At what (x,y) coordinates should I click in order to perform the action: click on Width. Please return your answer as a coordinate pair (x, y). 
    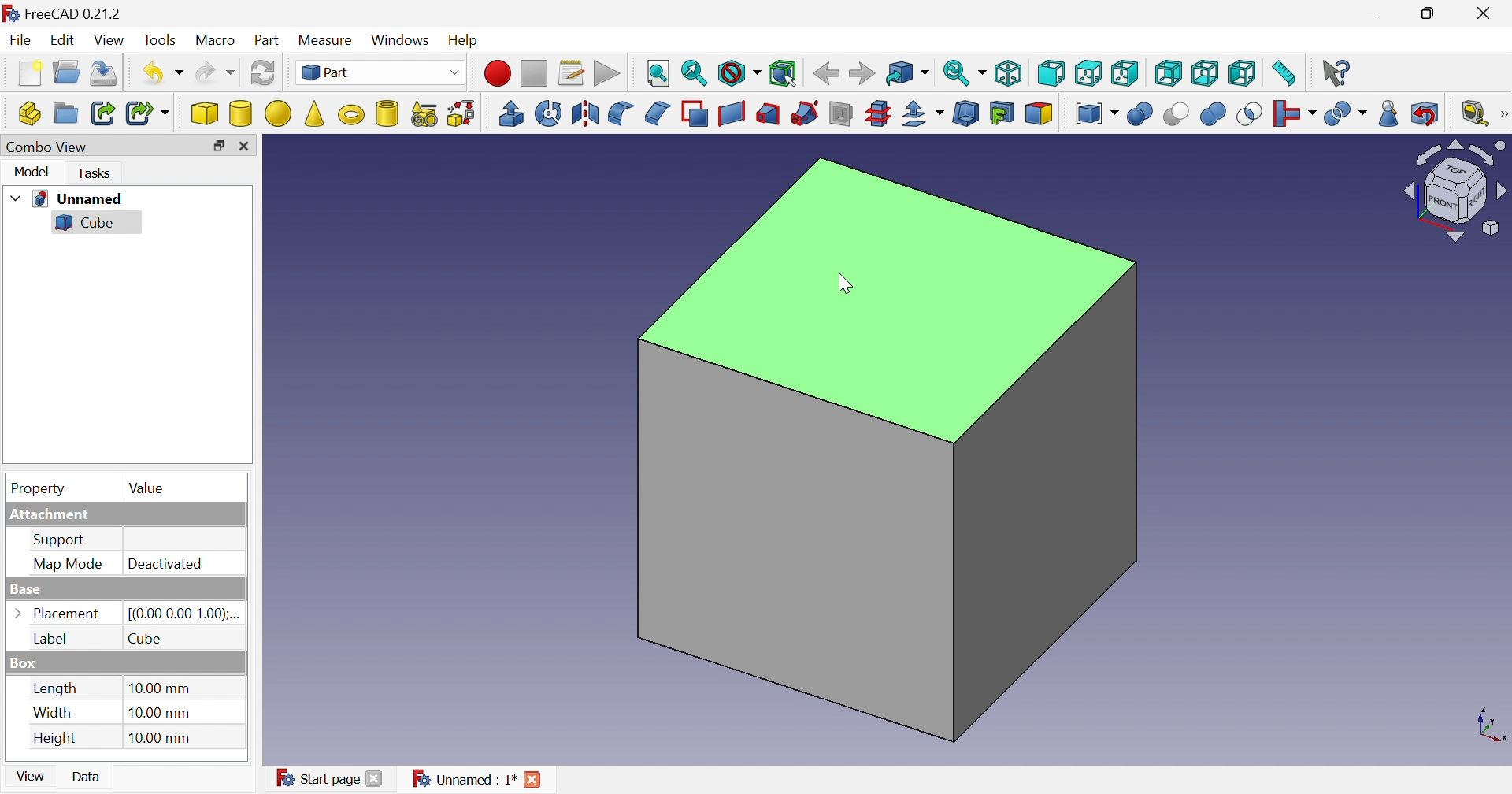
    Looking at the image, I should click on (53, 714).